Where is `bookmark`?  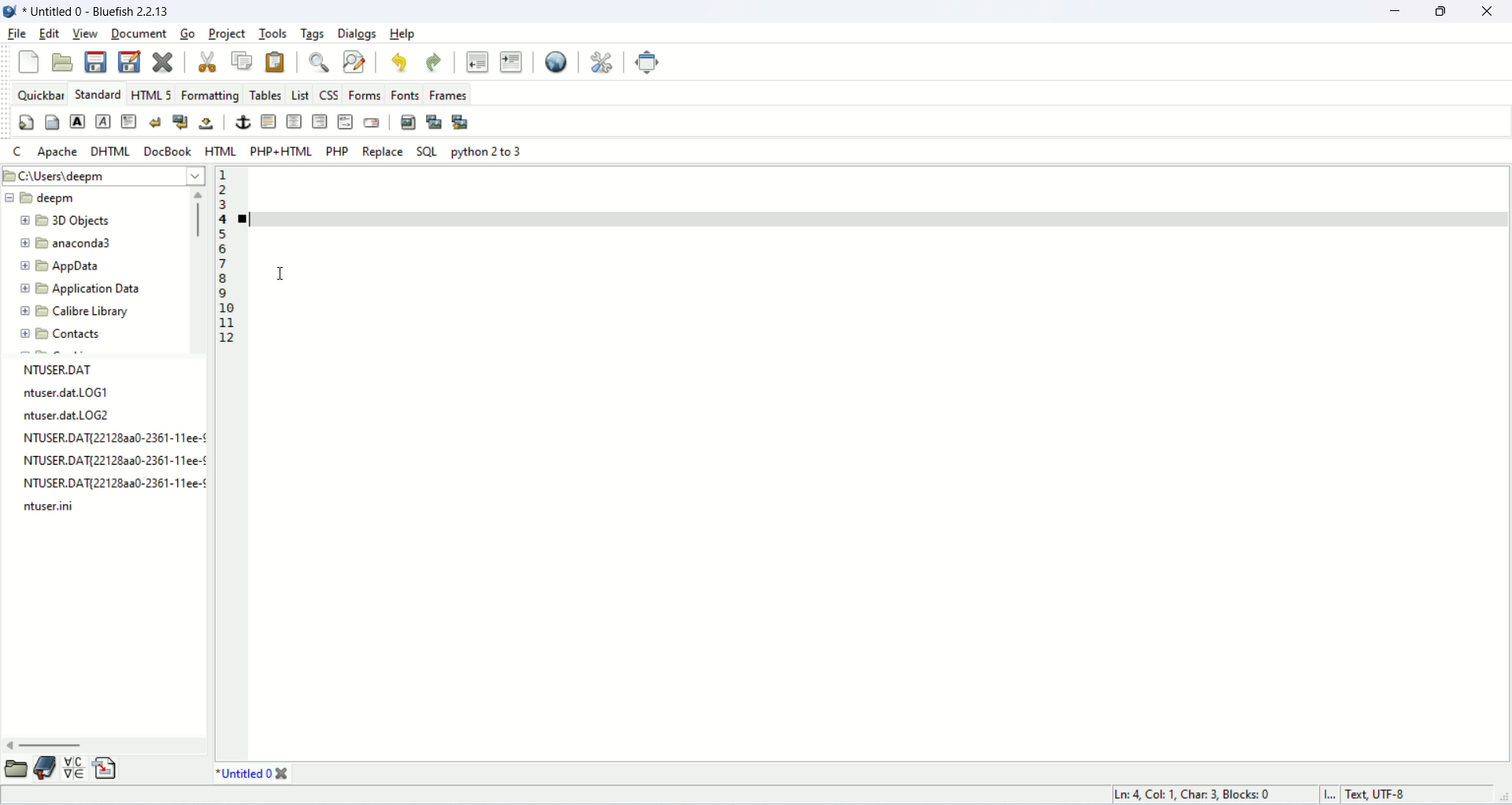 bookmark is located at coordinates (248, 220).